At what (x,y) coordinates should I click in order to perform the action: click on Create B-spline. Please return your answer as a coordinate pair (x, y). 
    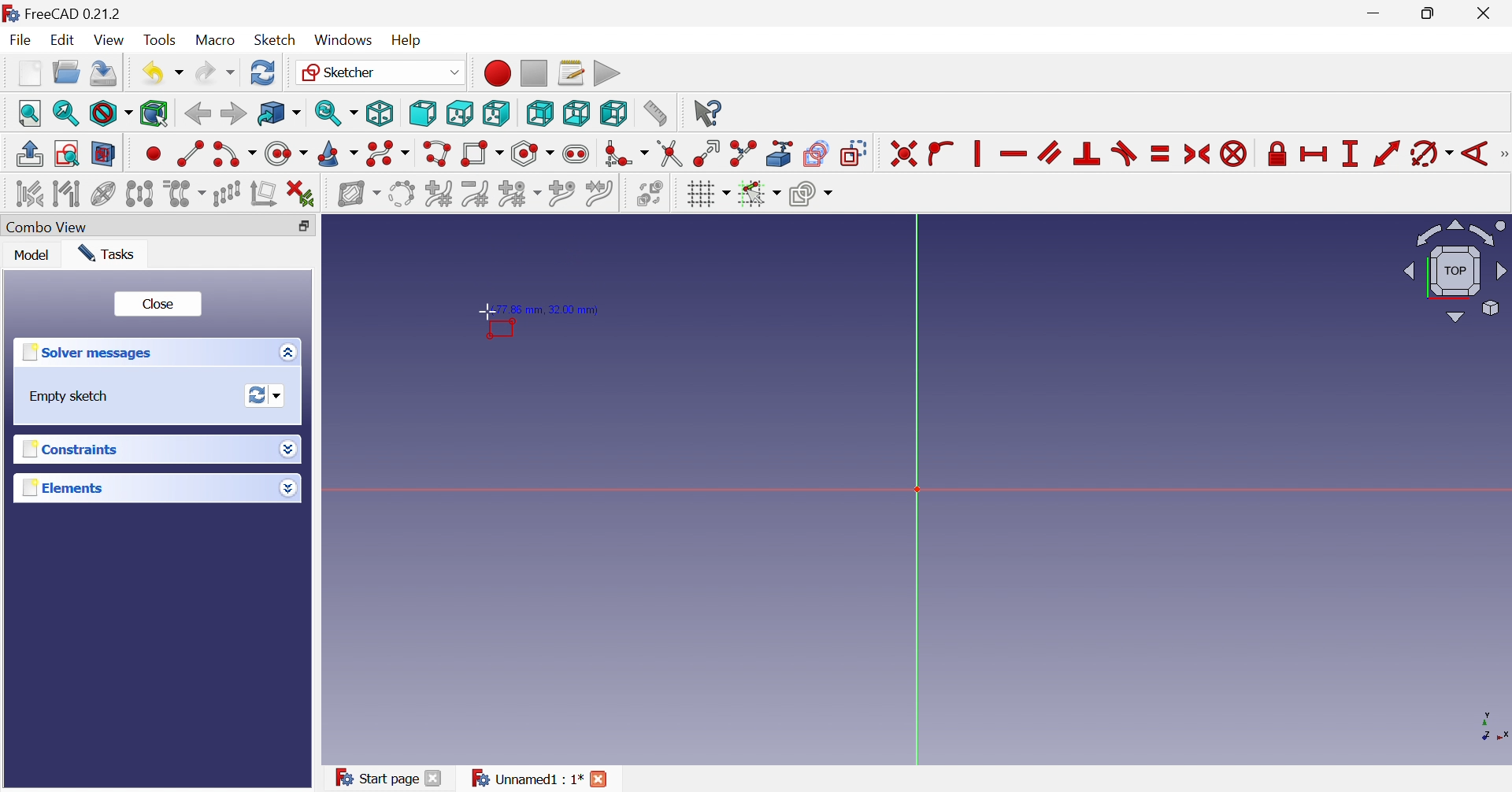
    Looking at the image, I should click on (388, 154).